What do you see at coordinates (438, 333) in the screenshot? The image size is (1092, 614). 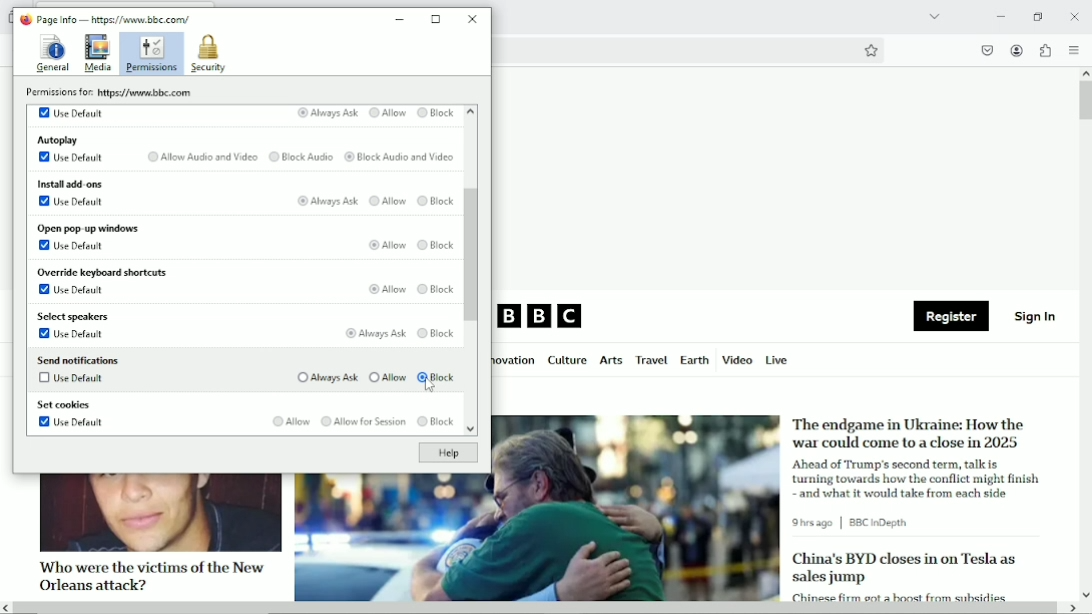 I see `Block` at bounding box center [438, 333].